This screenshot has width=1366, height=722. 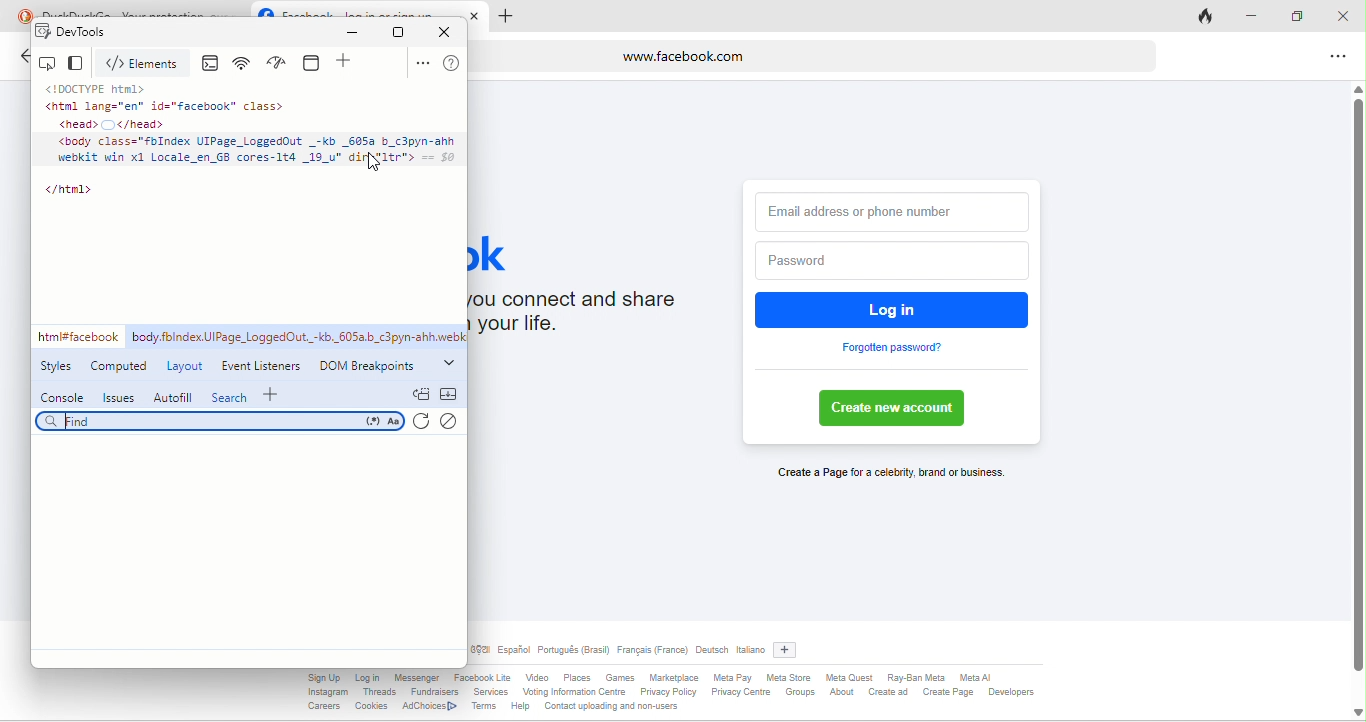 I want to click on cursor movement, so click(x=376, y=167).